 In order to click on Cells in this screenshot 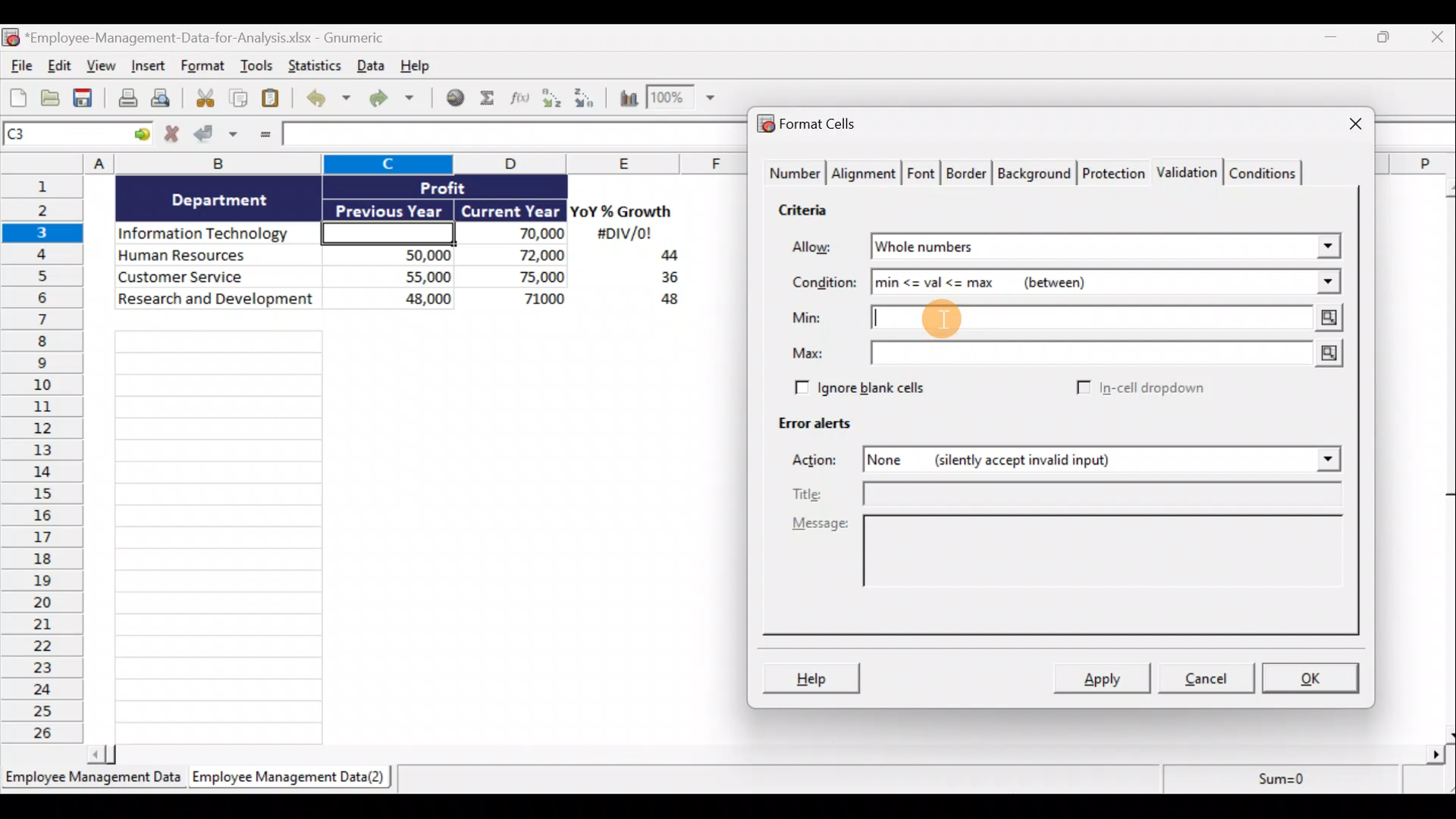, I will do `click(408, 531)`.